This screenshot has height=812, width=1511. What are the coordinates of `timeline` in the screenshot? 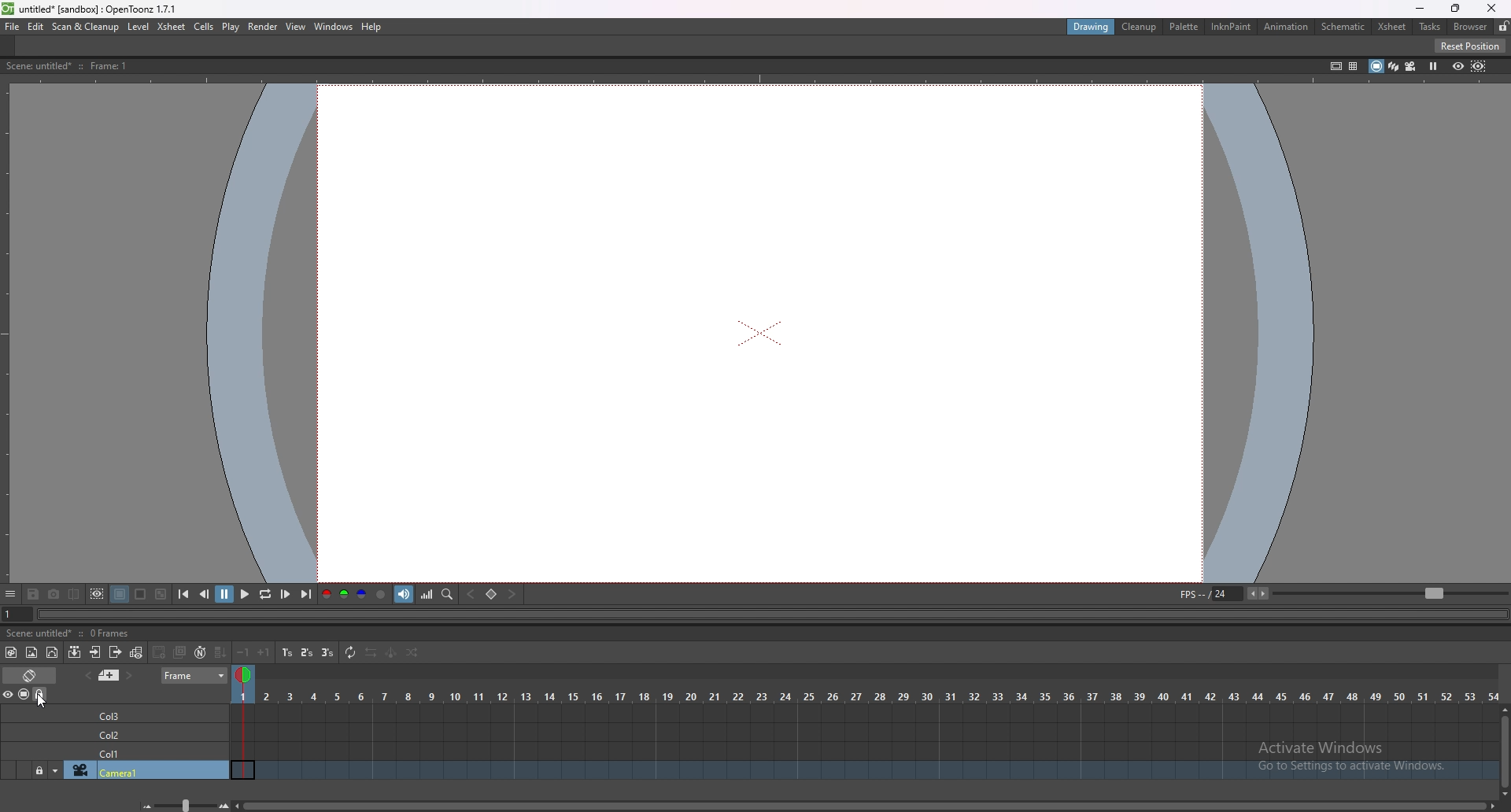 It's located at (865, 751).